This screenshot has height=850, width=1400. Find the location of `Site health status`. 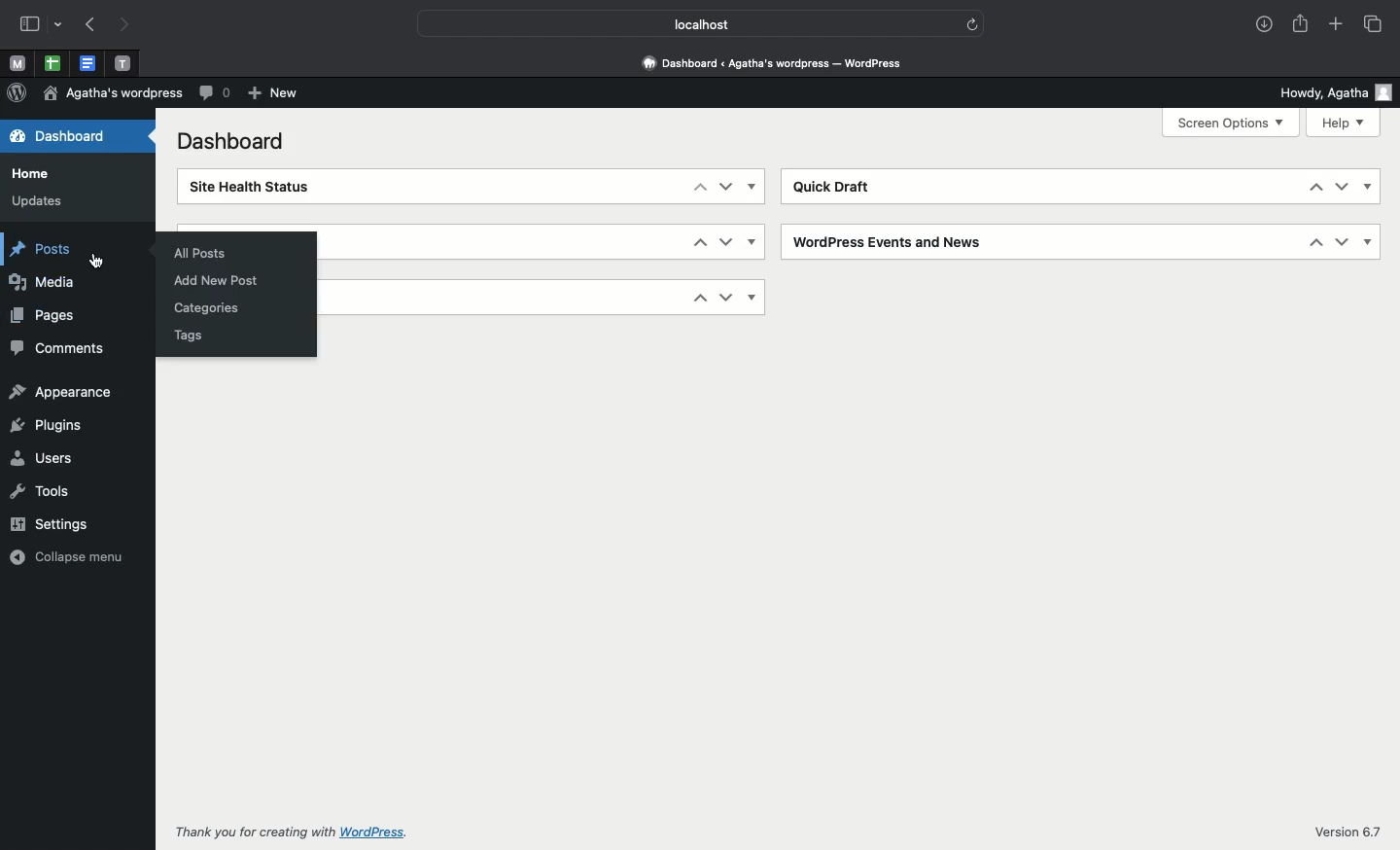

Site health status is located at coordinates (272, 188).